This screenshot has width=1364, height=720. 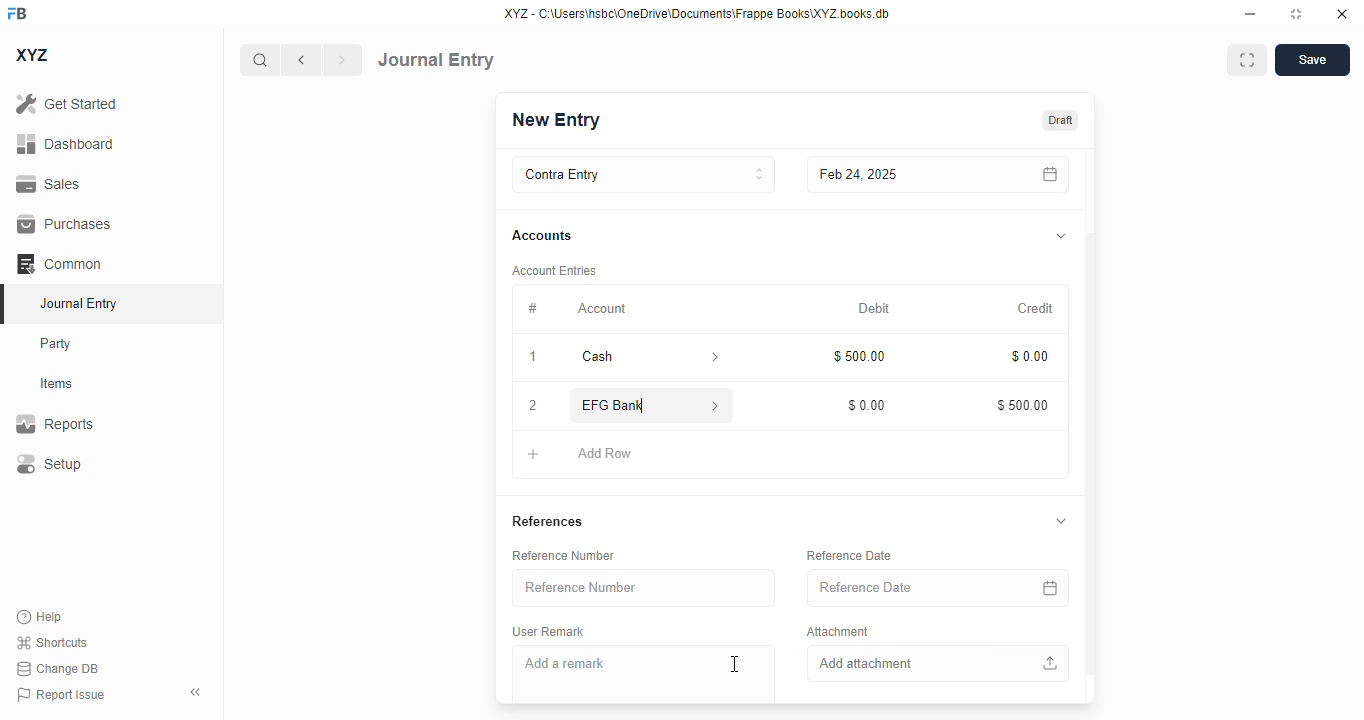 I want to click on attachment, so click(x=838, y=633).